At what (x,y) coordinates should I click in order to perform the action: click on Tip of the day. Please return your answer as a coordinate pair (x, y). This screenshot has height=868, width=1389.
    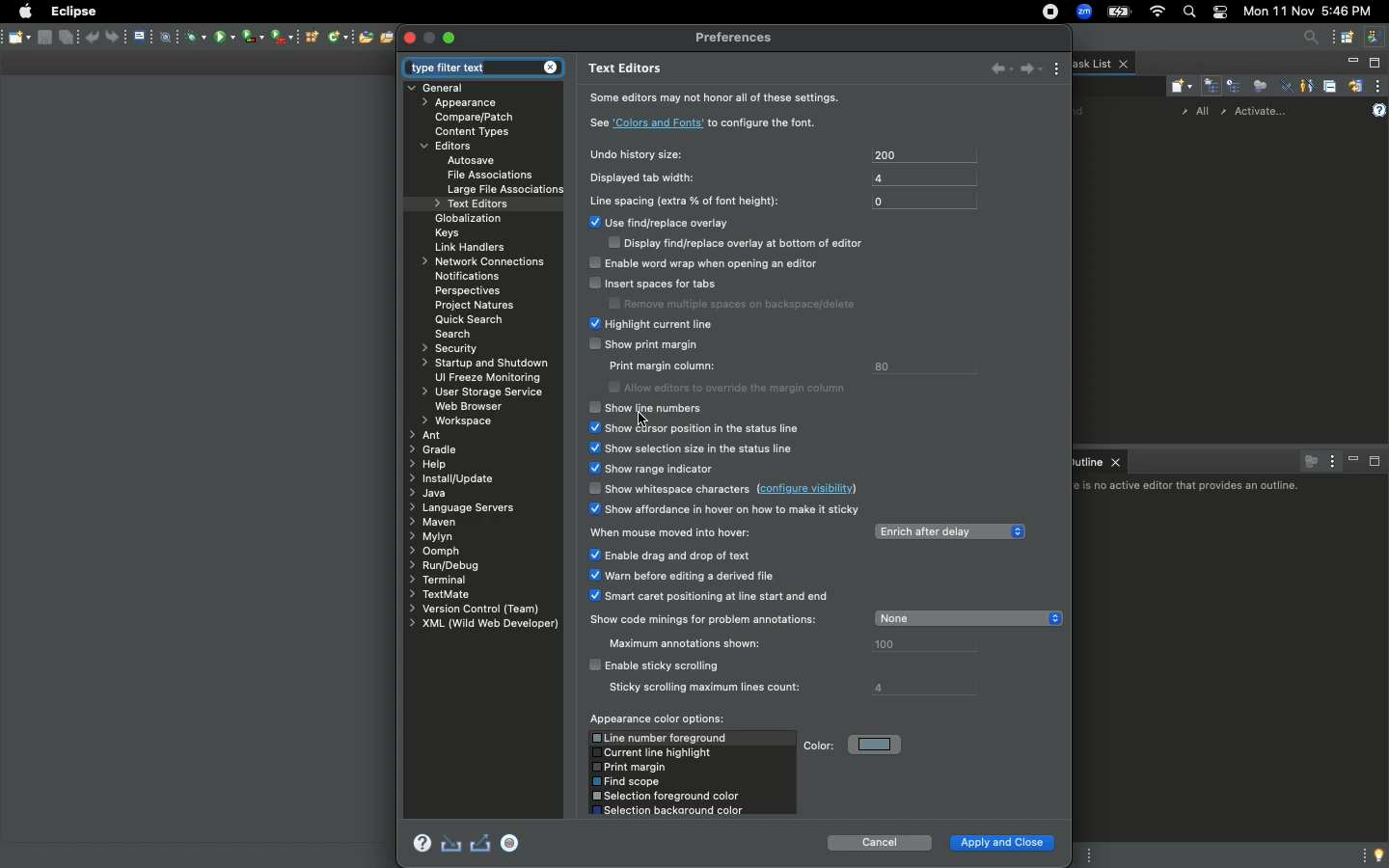
    Looking at the image, I should click on (1375, 854).